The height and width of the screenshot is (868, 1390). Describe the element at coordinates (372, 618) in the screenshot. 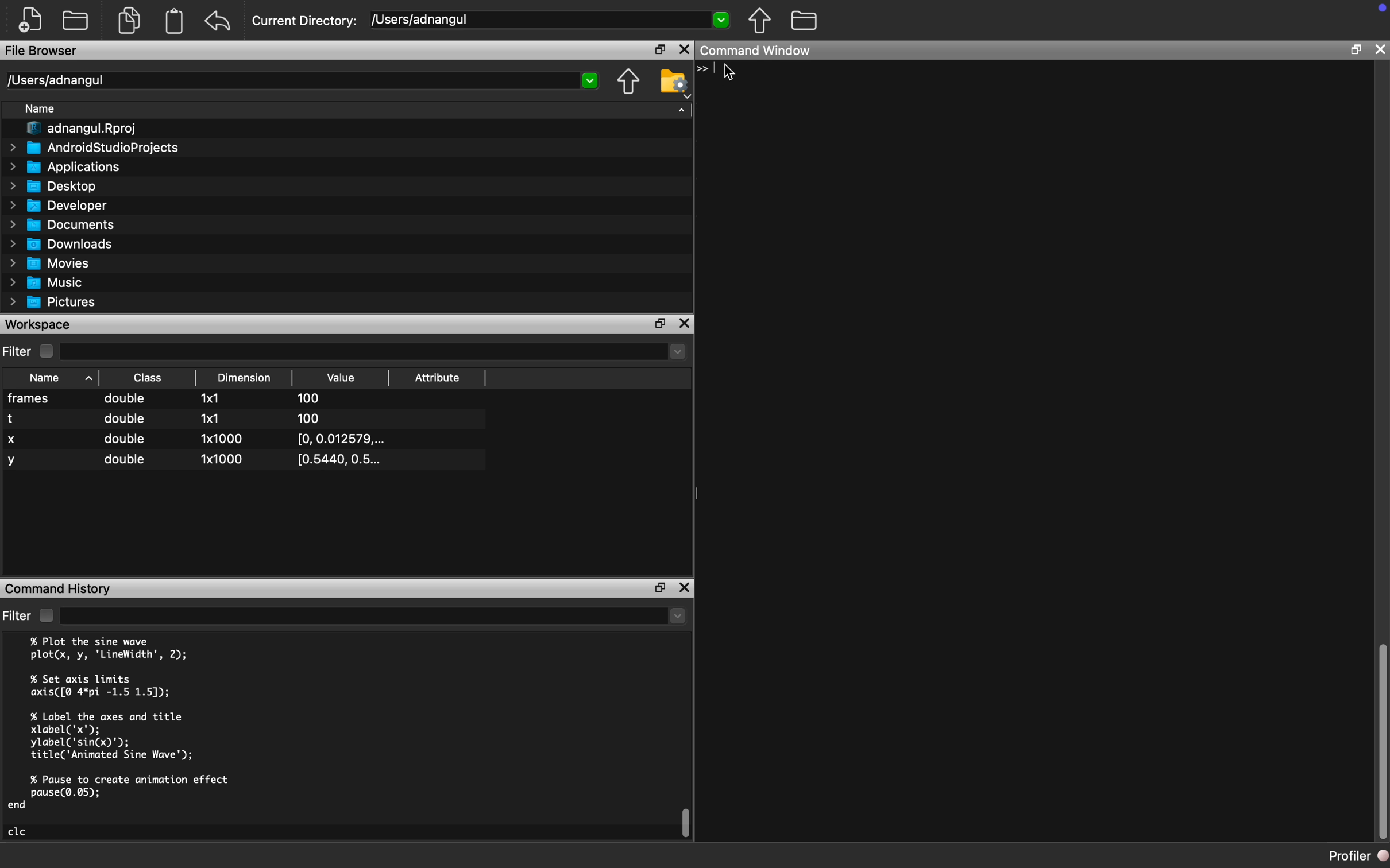

I see `Dropdown` at that location.